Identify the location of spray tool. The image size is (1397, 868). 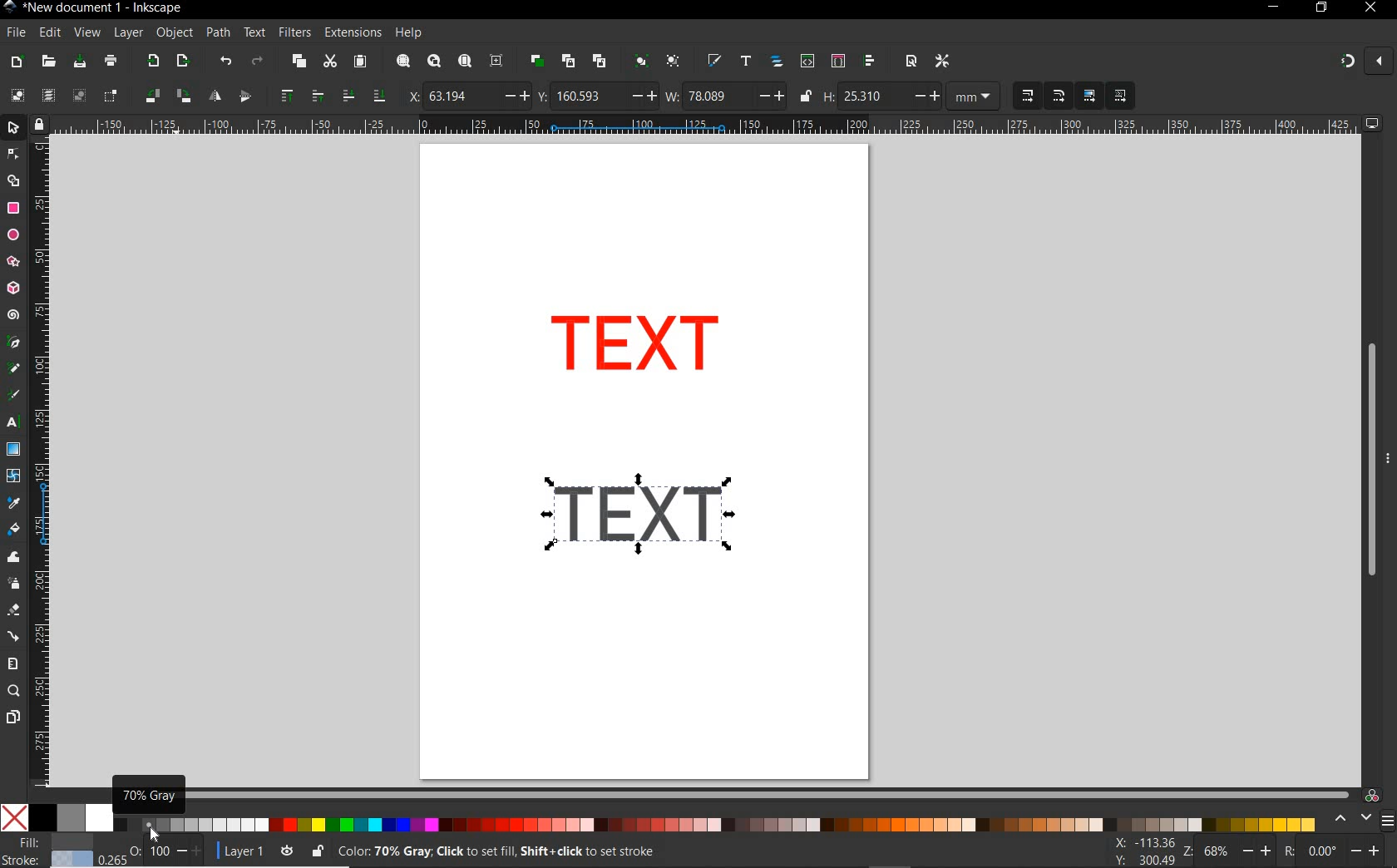
(13, 583).